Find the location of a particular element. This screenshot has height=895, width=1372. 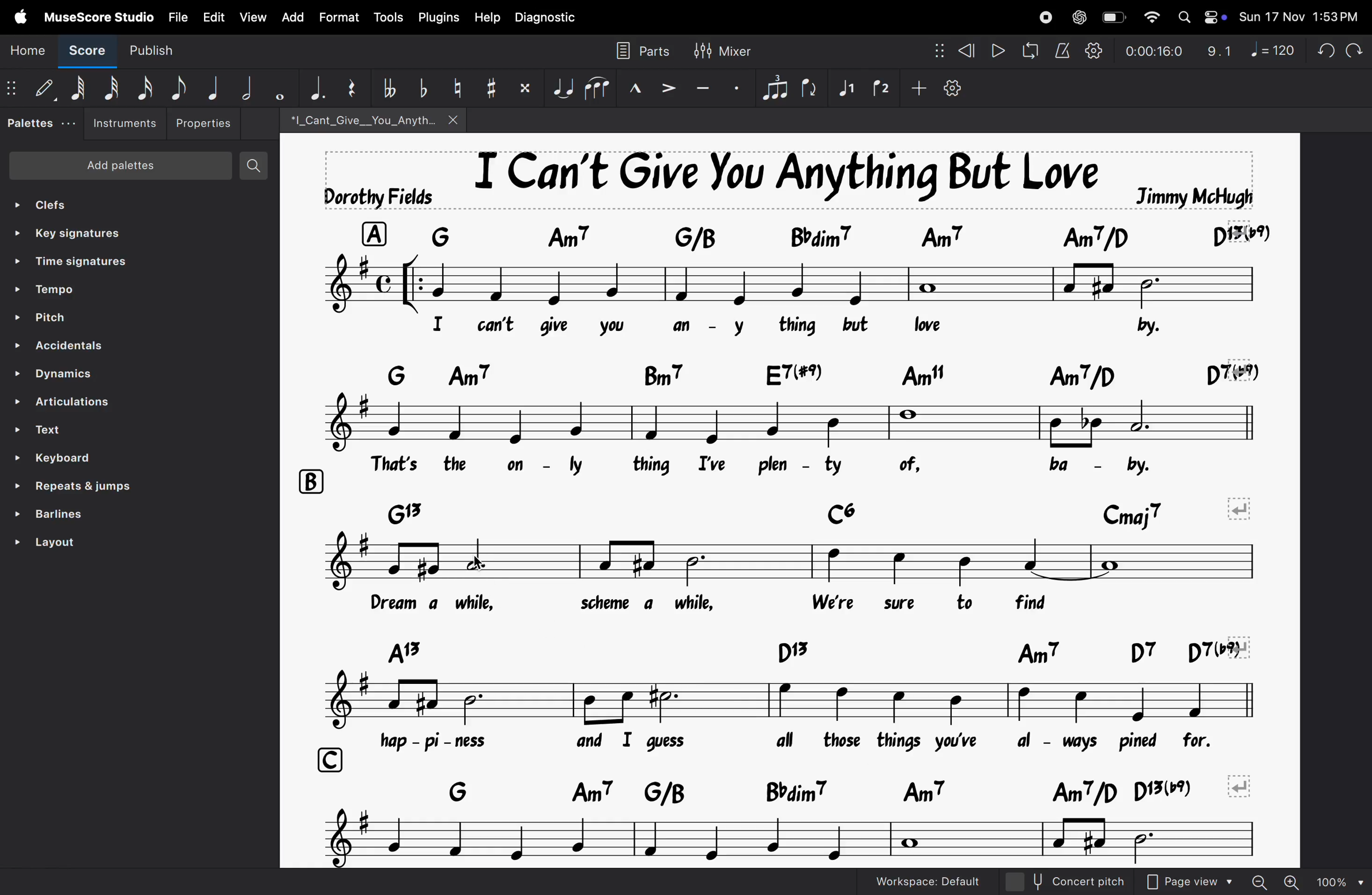

32 note is located at coordinates (112, 89).